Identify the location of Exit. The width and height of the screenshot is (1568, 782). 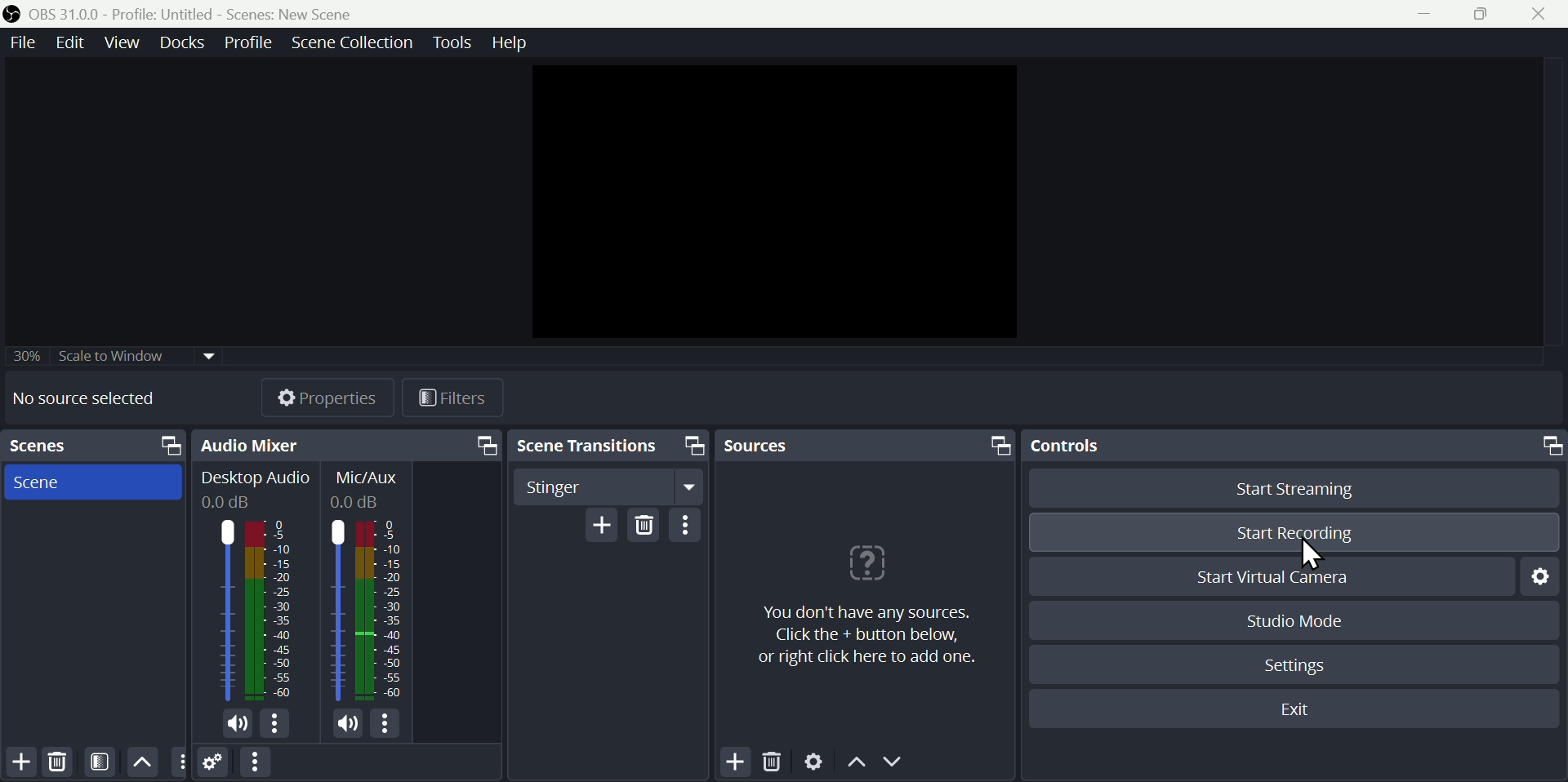
(1290, 711).